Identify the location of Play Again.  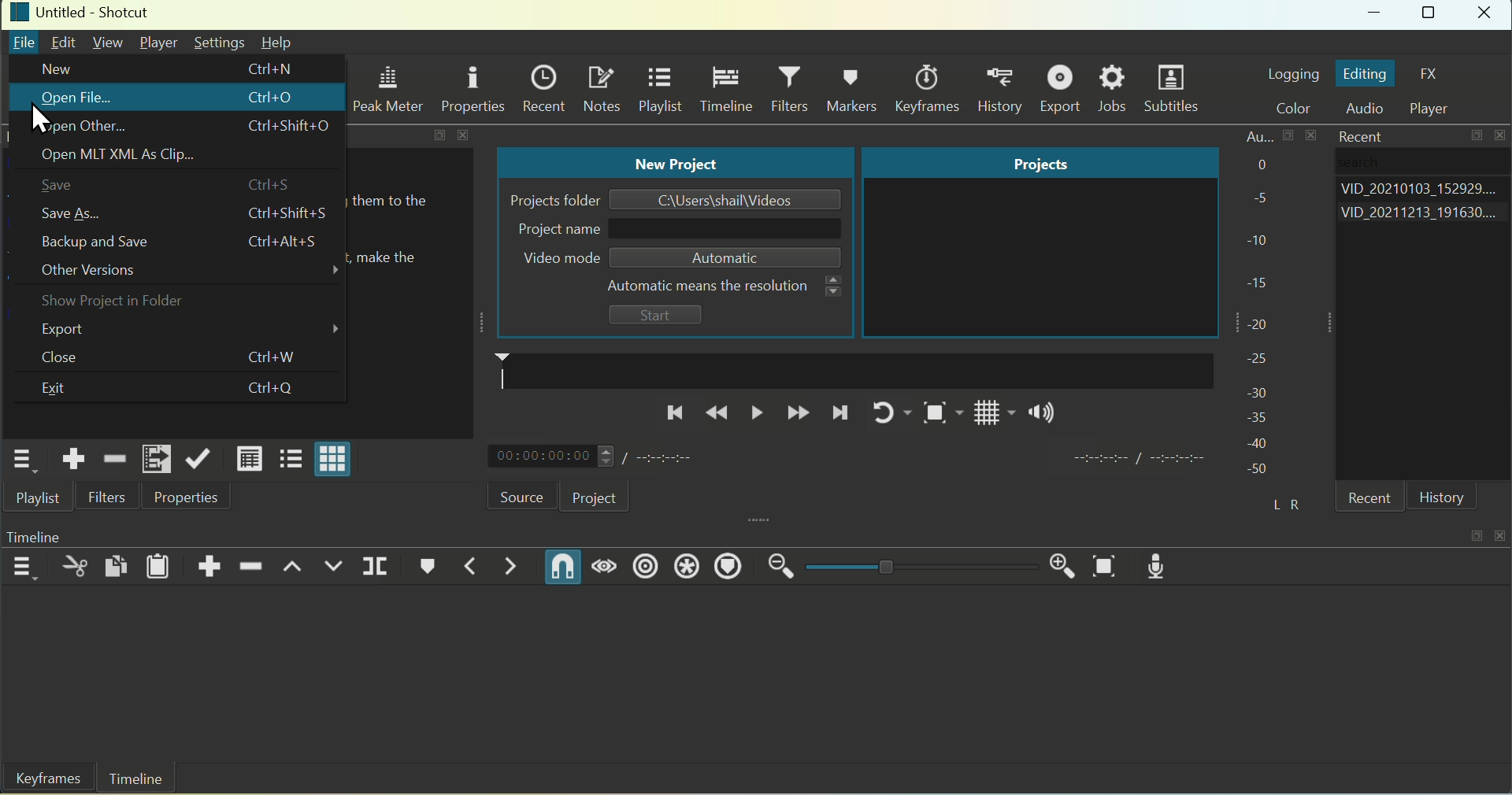
(884, 412).